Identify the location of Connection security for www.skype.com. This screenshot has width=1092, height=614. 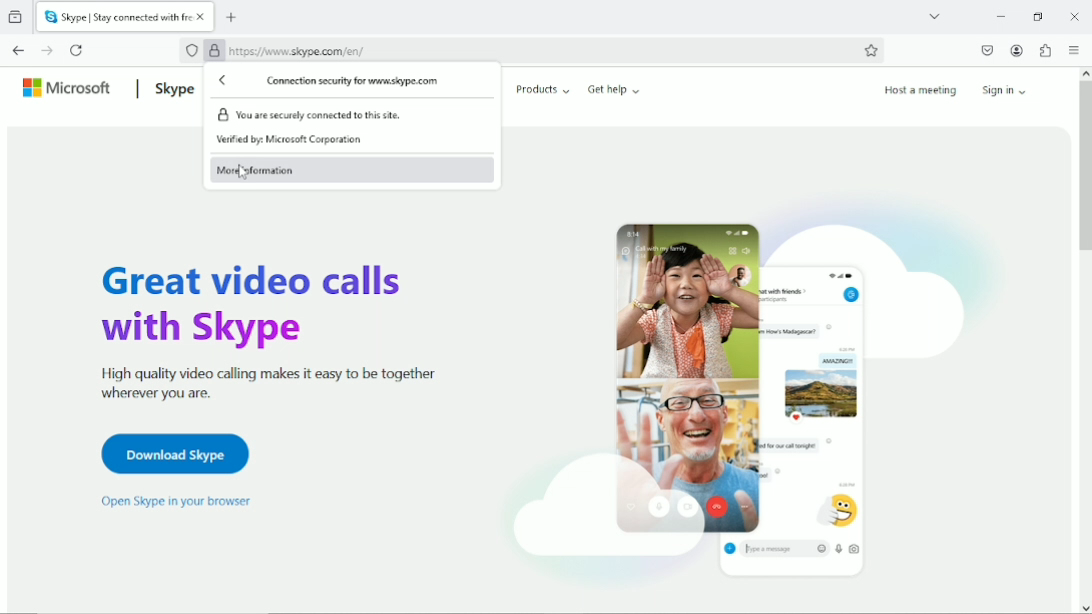
(328, 81).